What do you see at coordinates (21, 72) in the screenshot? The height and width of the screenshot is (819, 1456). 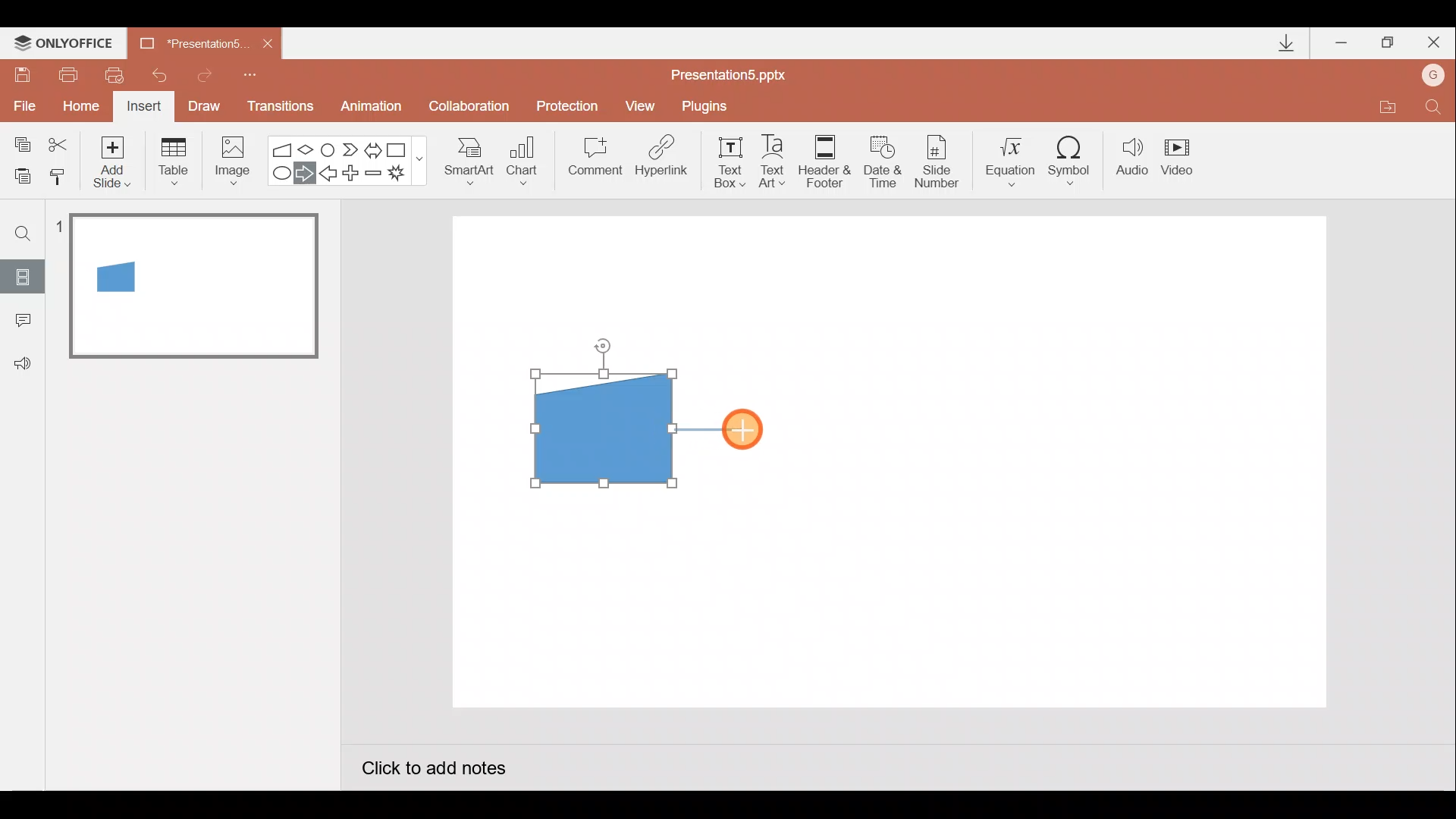 I see `Save` at bounding box center [21, 72].